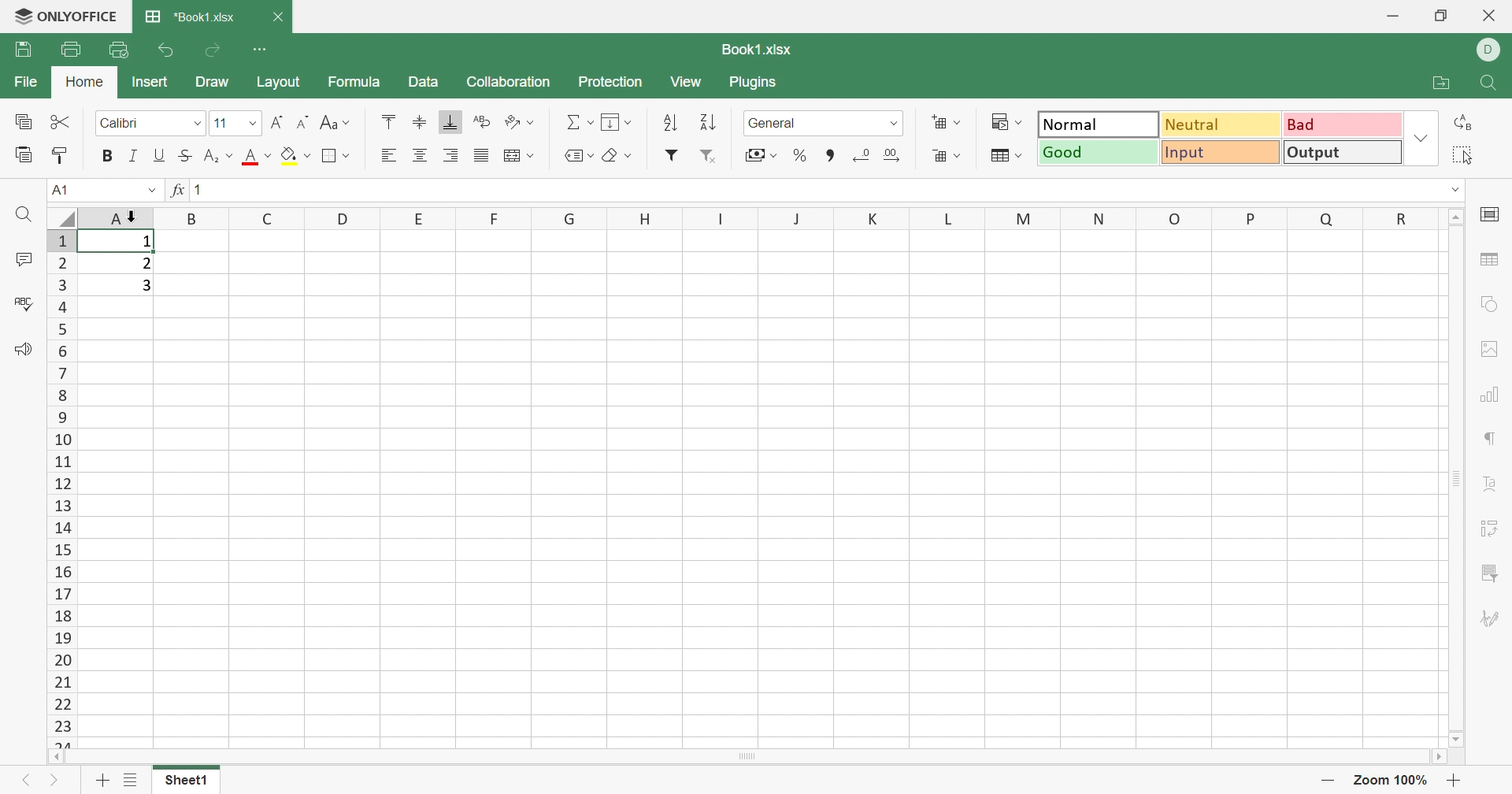 The image size is (1512, 794). I want to click on Wrap text, so click(484, 121).